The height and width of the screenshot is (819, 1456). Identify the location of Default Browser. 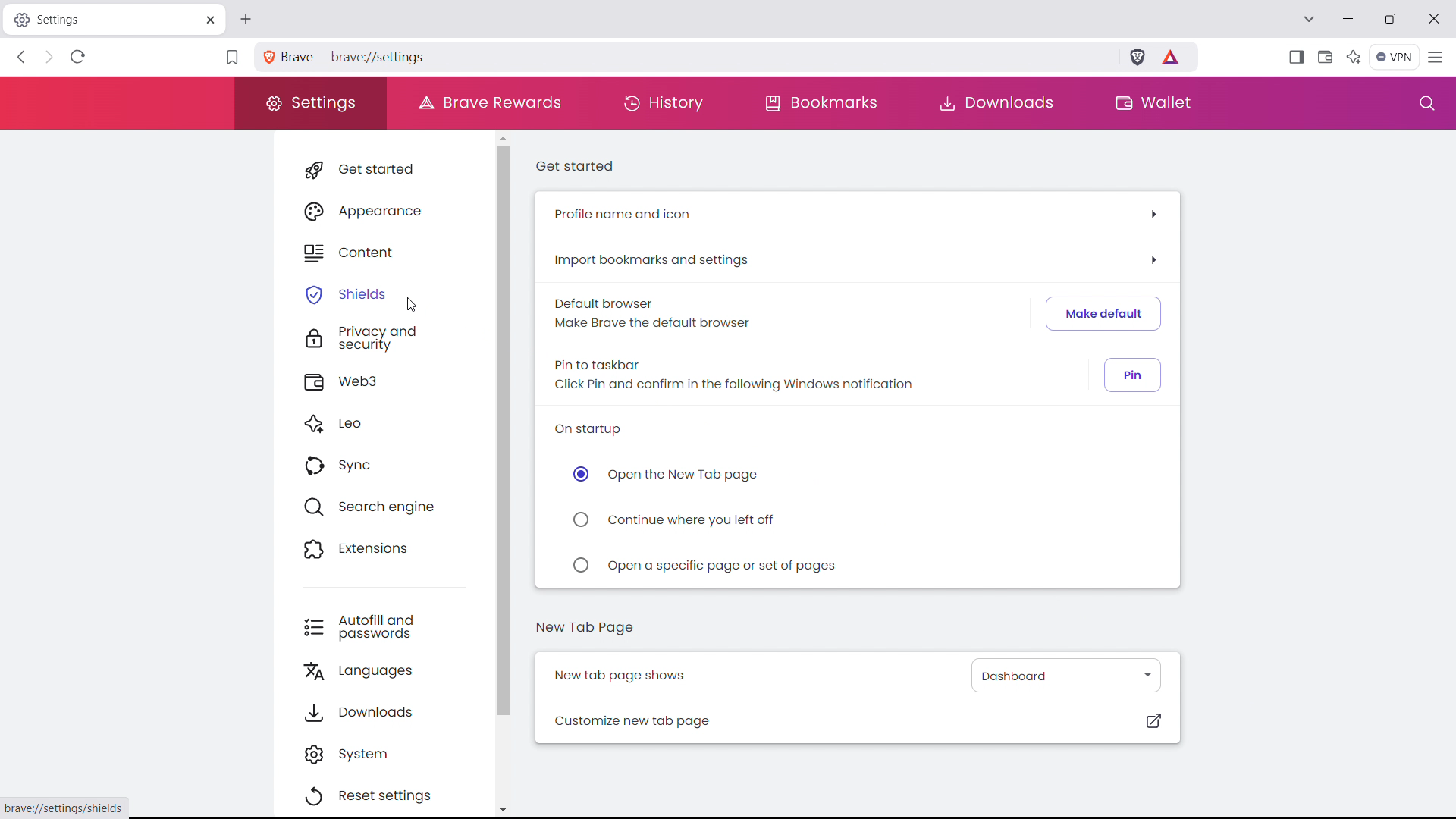
(607, 302).